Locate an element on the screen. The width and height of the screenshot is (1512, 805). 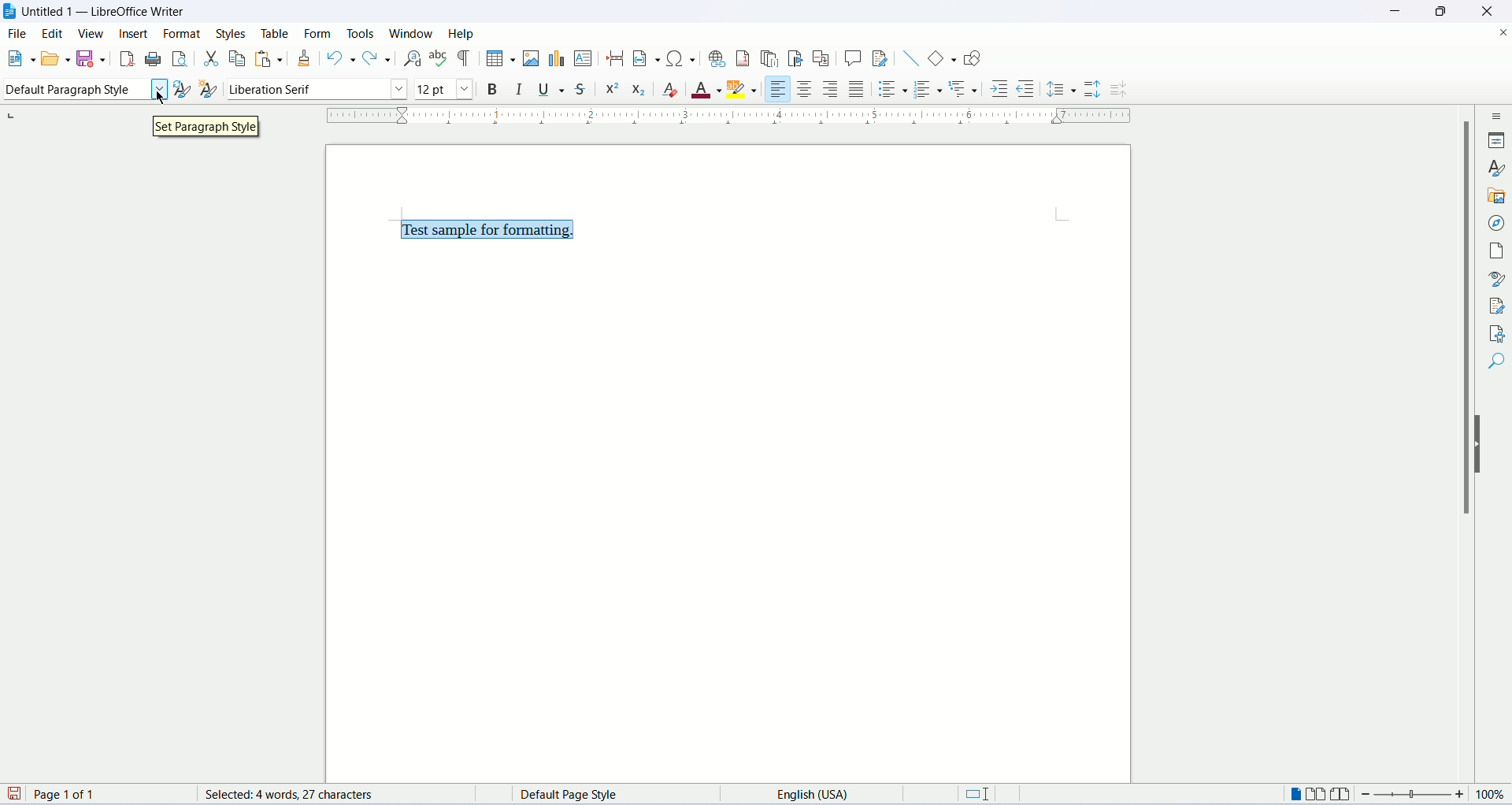
track changes is located at coordinates (880, 59).